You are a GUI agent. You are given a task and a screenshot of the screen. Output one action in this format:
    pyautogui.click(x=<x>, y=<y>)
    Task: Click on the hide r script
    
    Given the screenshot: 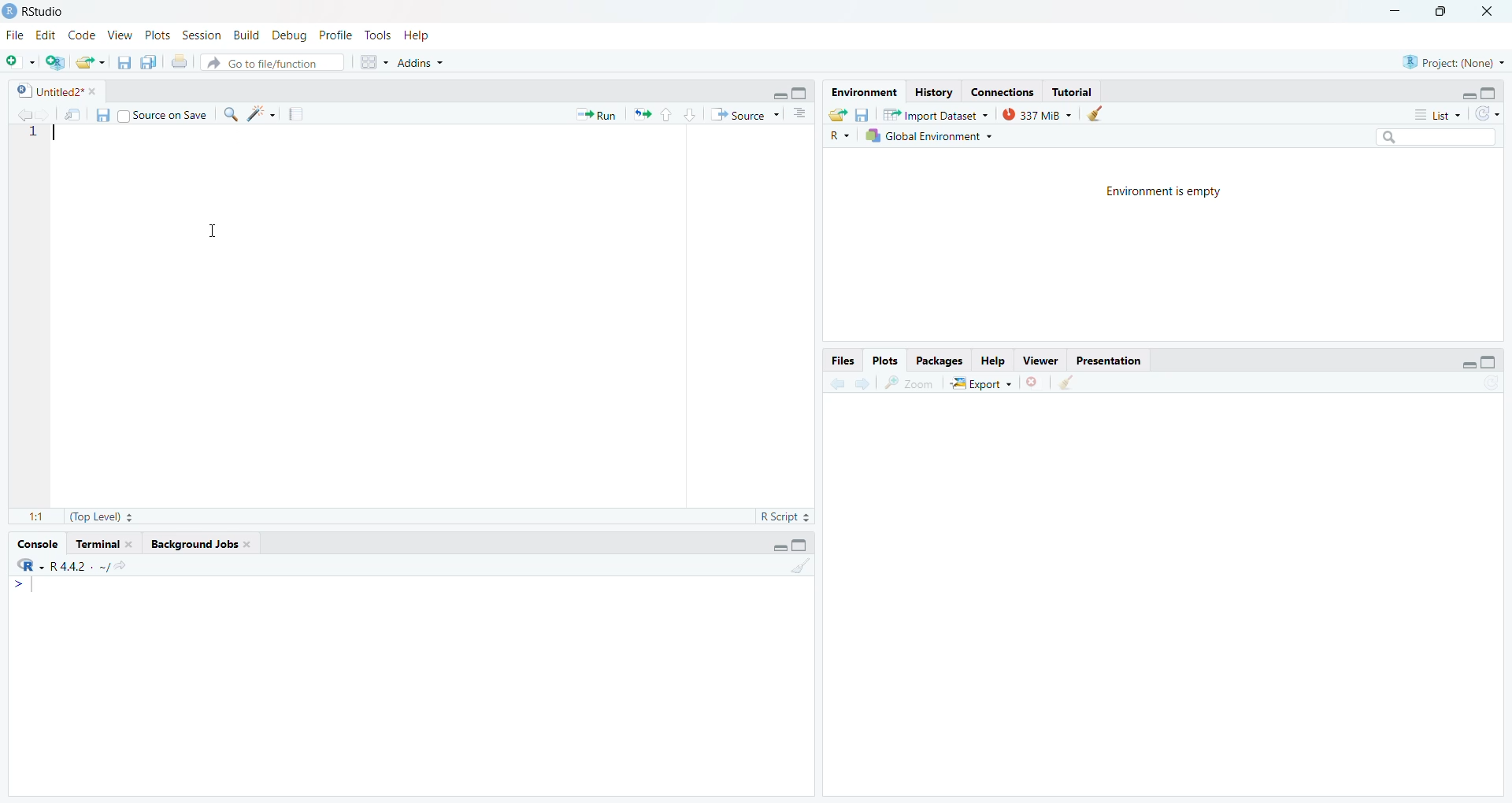 What is the action you would take?
    pyautogui.click(x=1462, y=364)
    